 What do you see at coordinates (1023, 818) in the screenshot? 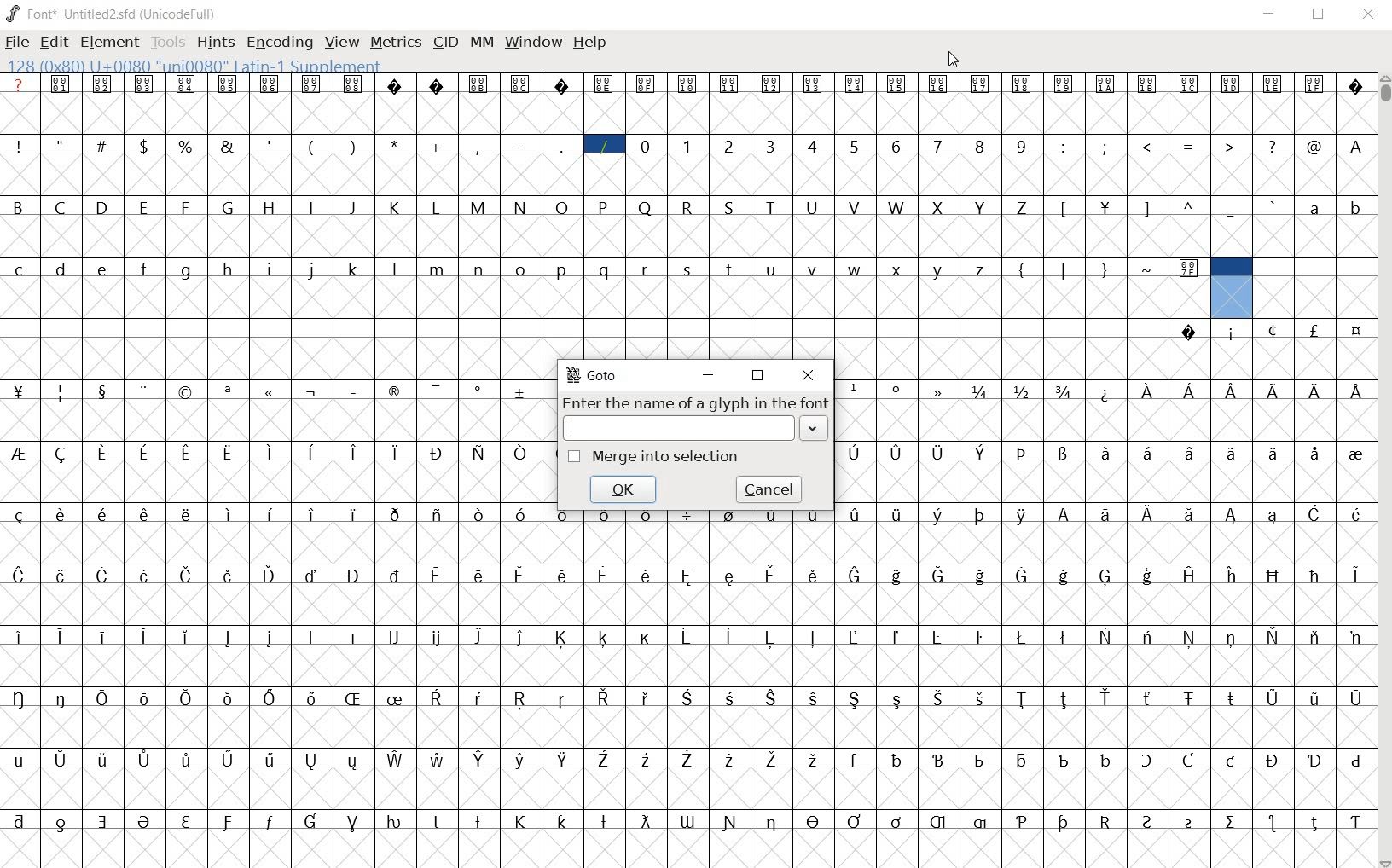
I see `Symbol` at bounding box center [1023, 818].